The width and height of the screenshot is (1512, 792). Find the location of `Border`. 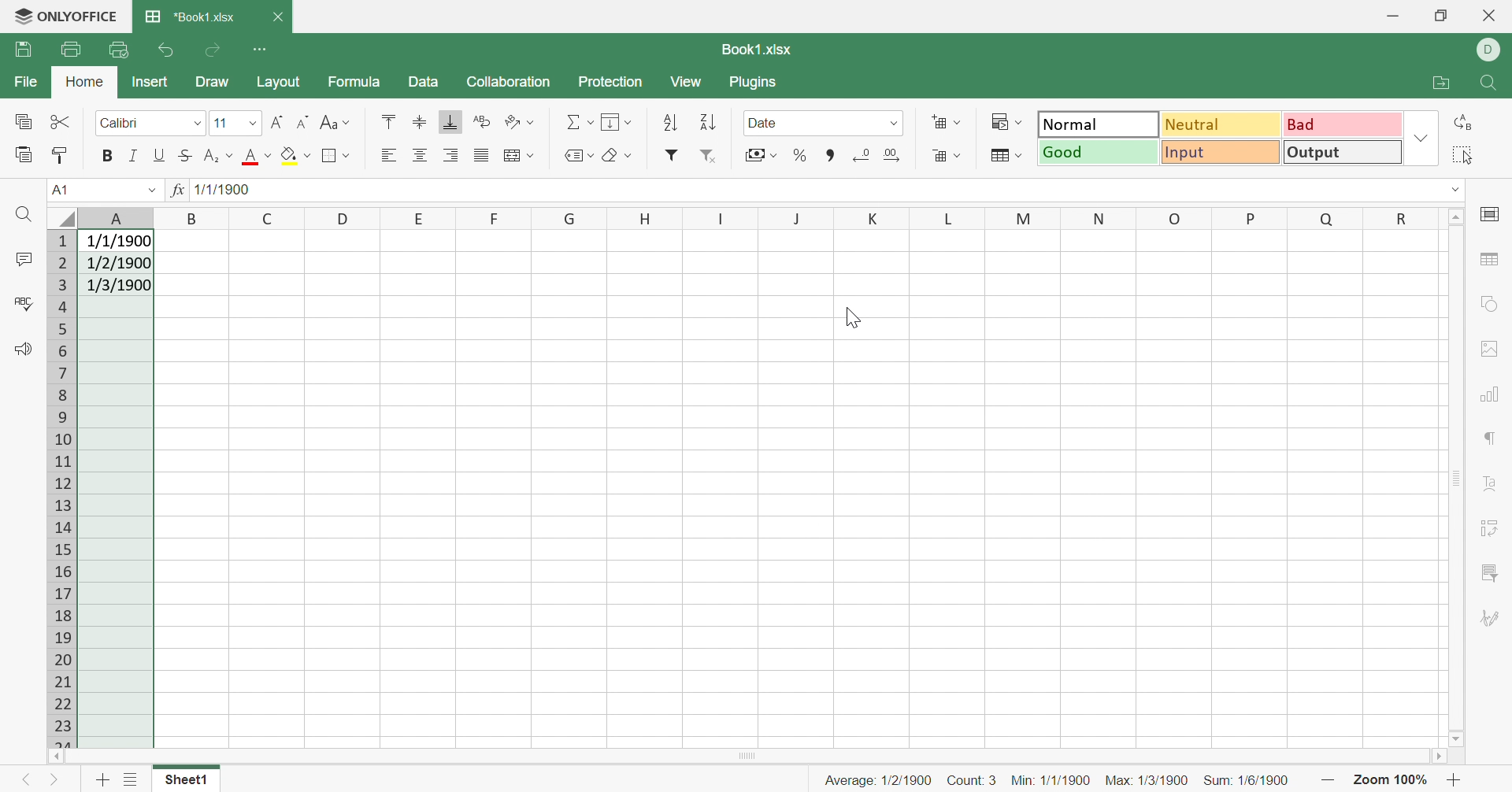

Border is located at coordinates (339, 154).